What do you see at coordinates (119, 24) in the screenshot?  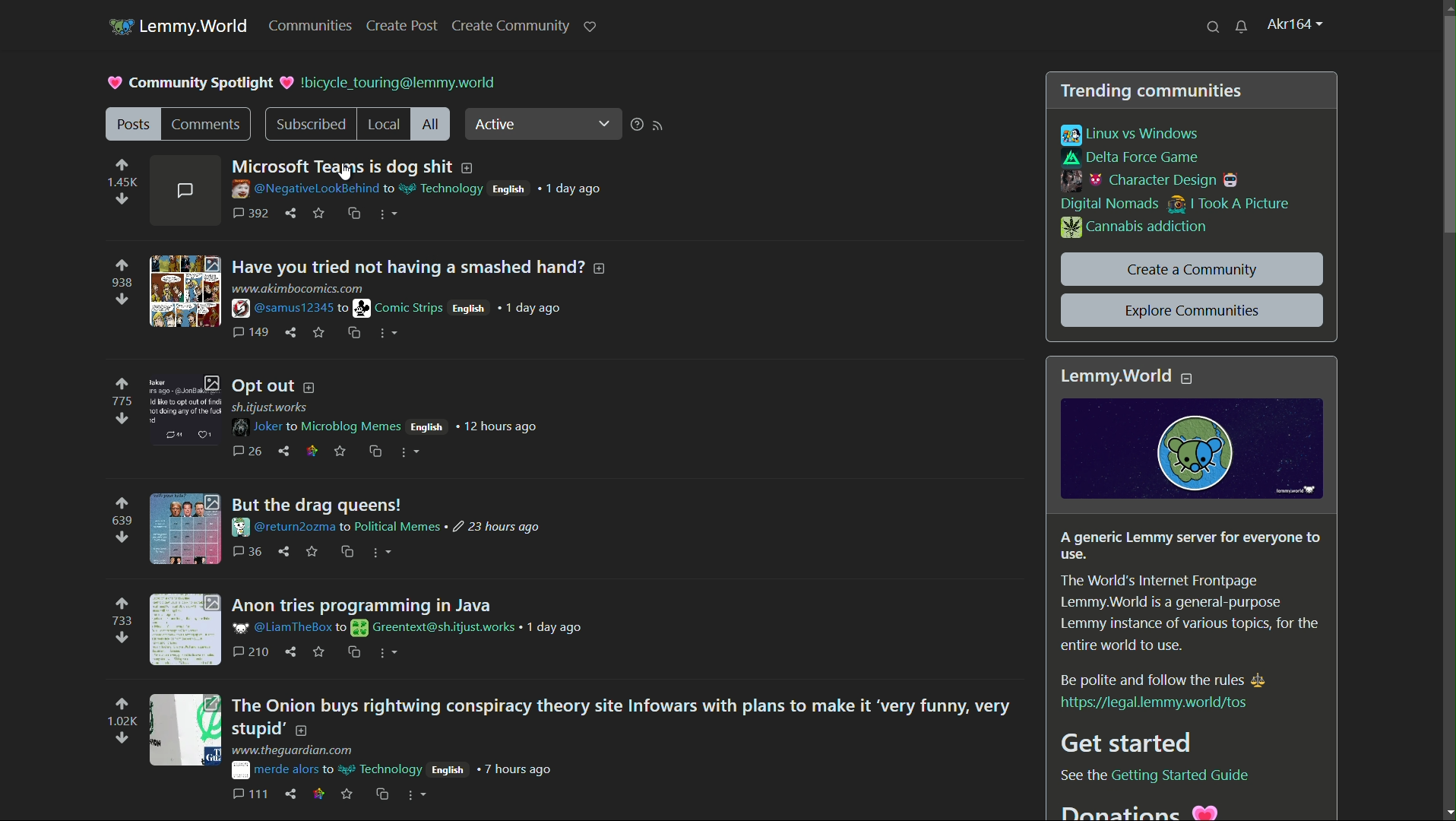 I see `server icon` at bounding box center [119, 24].